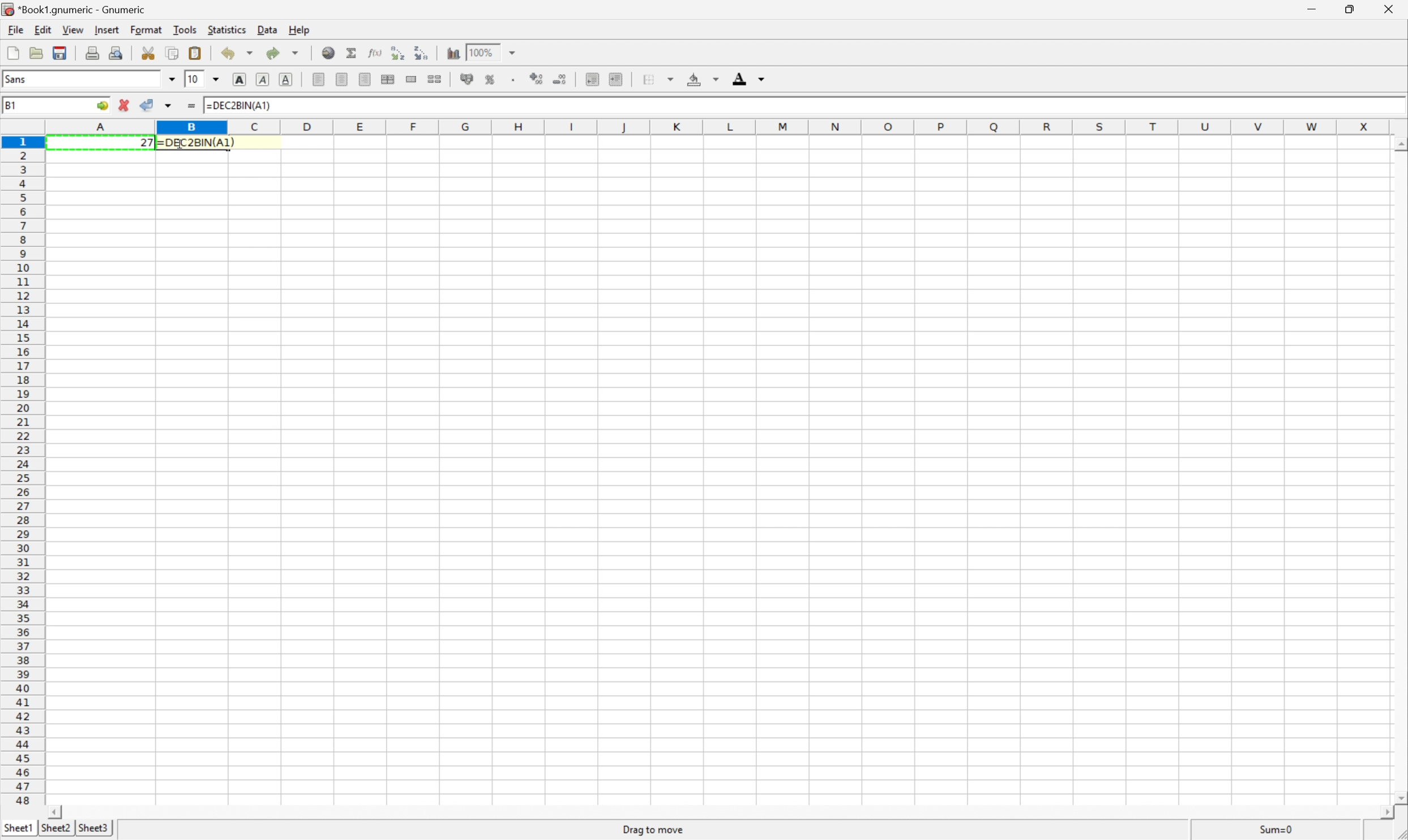  What do you see at coordinates (654, 831) in the screenshot?
I see `Drag to move` at bounding box center [654, 831].